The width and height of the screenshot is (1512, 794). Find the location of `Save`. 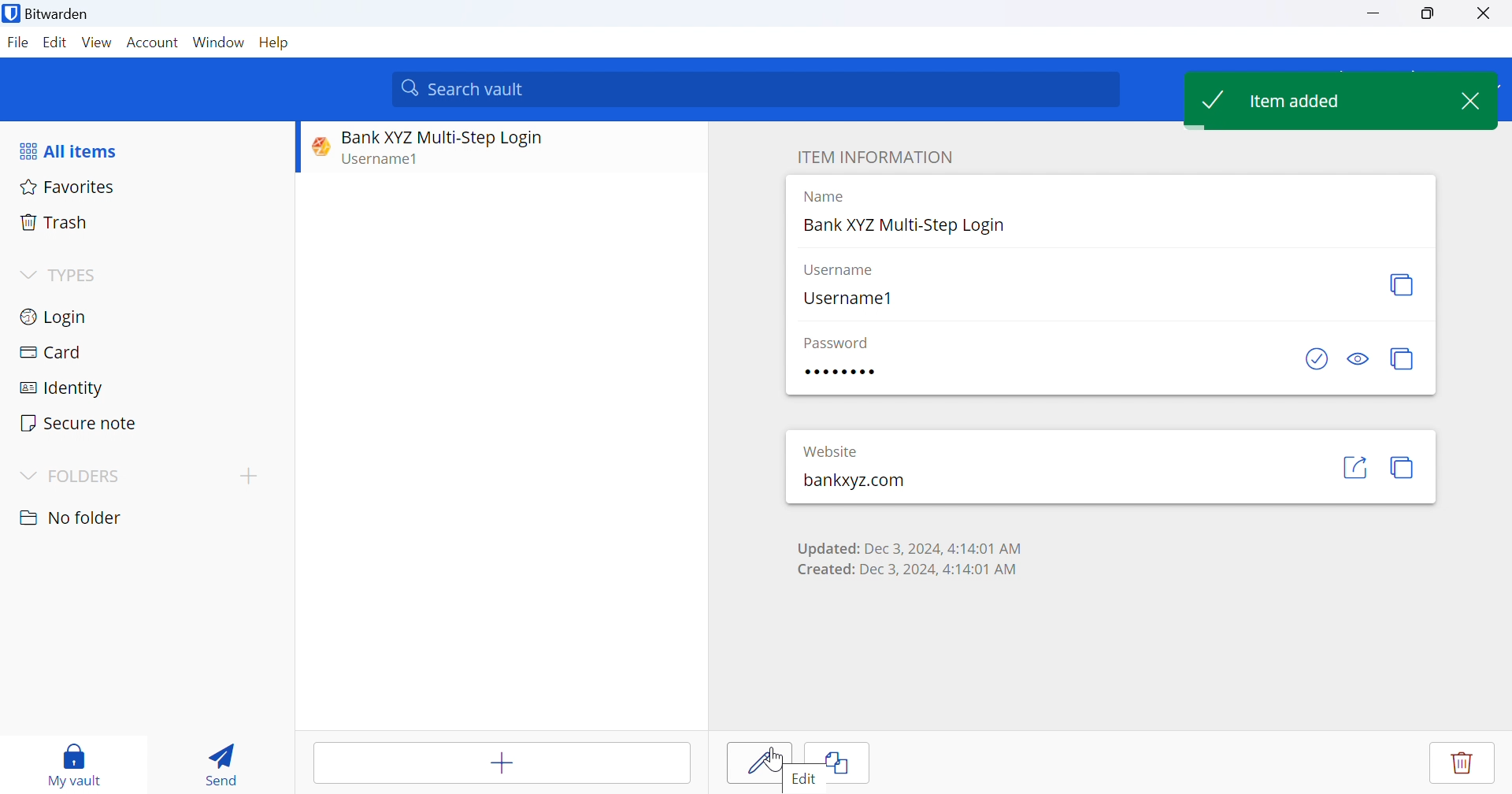

Save is located at coordinates (755, 762).